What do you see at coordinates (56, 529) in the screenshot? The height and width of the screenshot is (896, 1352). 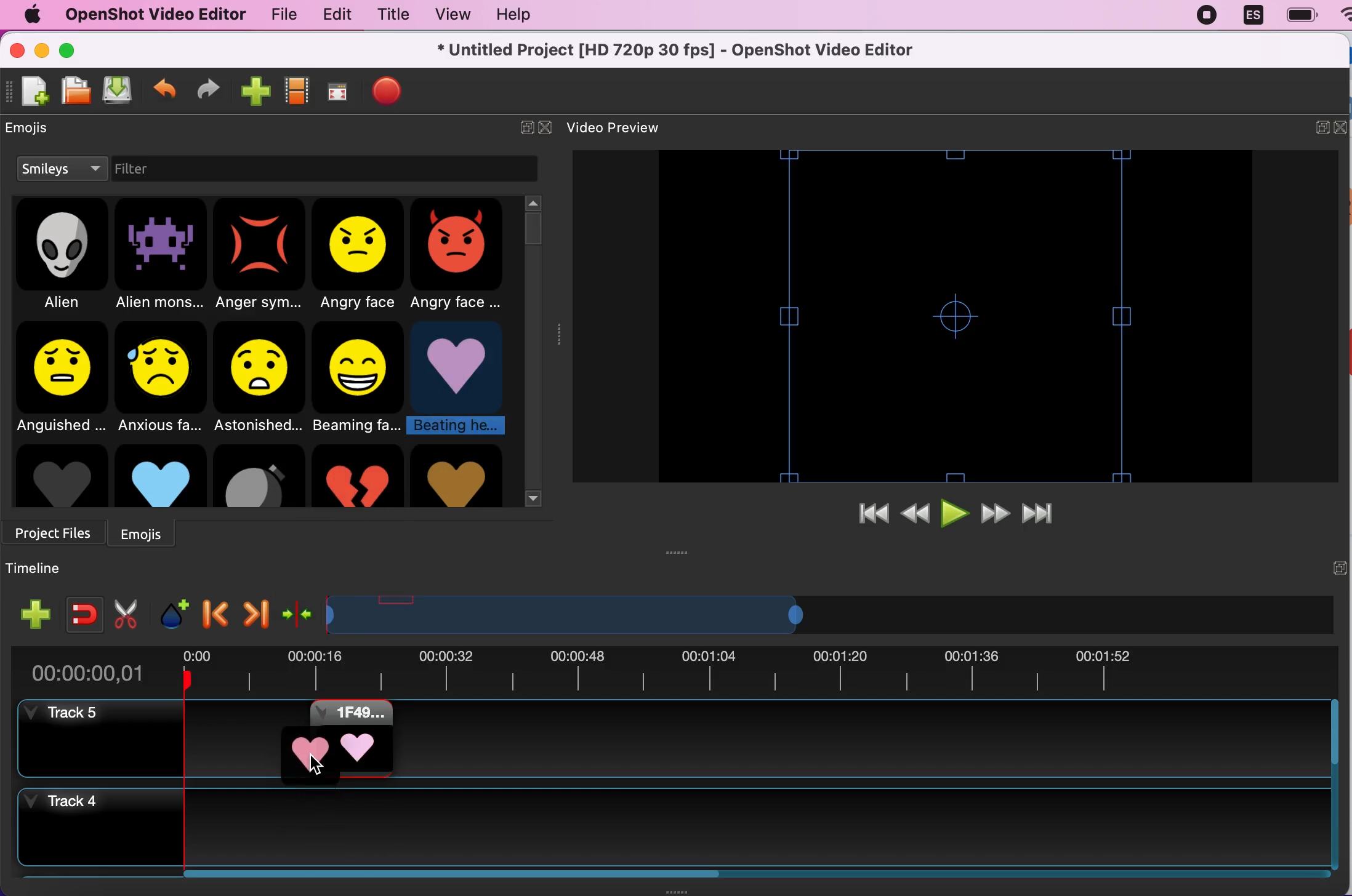 I see `project files` at bounding box center [56, 529].